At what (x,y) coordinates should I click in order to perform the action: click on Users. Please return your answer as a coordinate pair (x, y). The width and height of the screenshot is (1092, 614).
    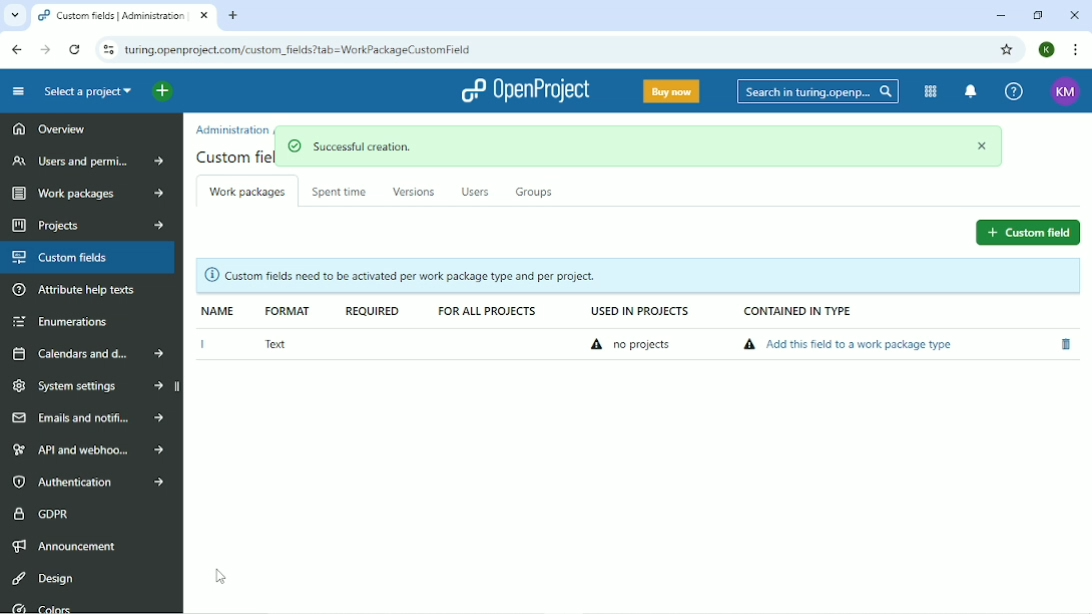
    Looking at the image, I should click on (474, 190).